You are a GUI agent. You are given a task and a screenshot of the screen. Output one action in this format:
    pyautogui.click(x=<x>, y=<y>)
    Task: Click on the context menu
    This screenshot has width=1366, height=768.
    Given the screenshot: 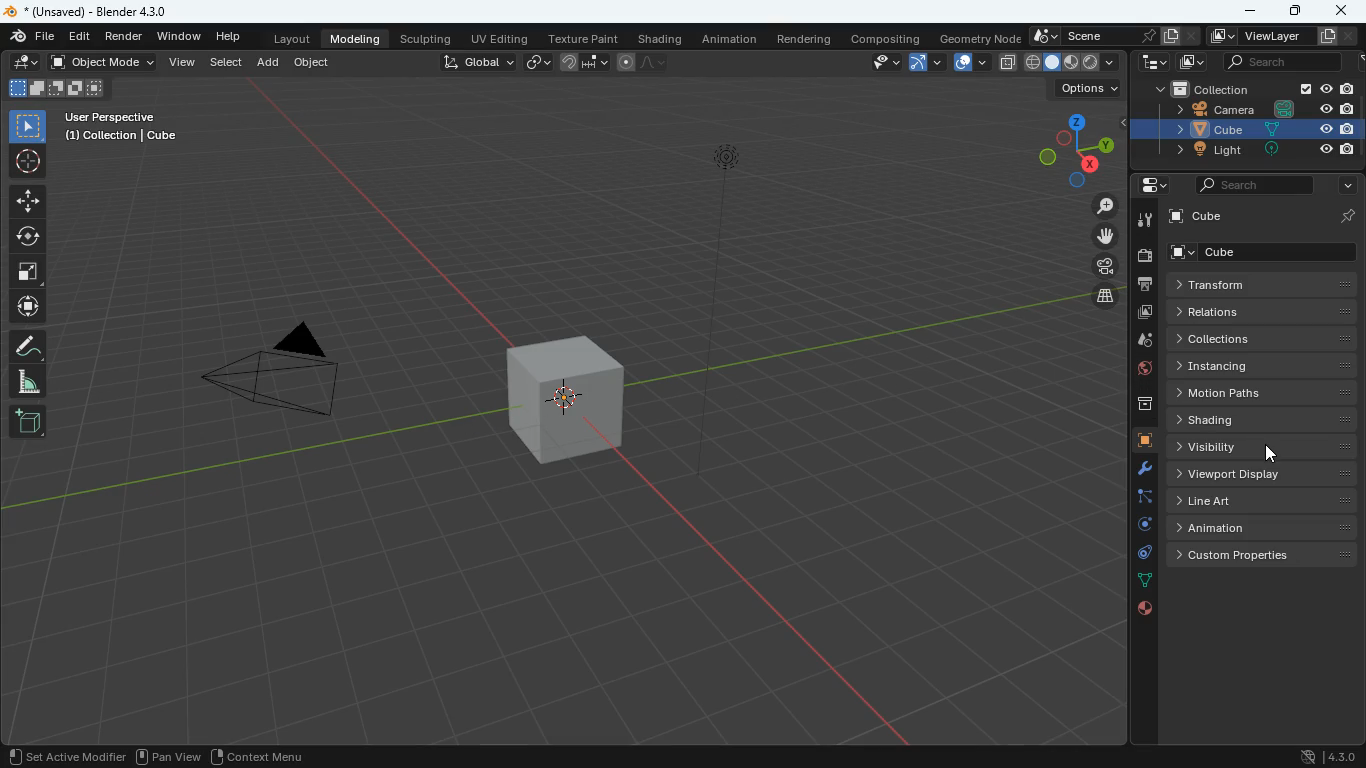 What is the action you would take?
    pyautogui.click(x=258, y=754)
    